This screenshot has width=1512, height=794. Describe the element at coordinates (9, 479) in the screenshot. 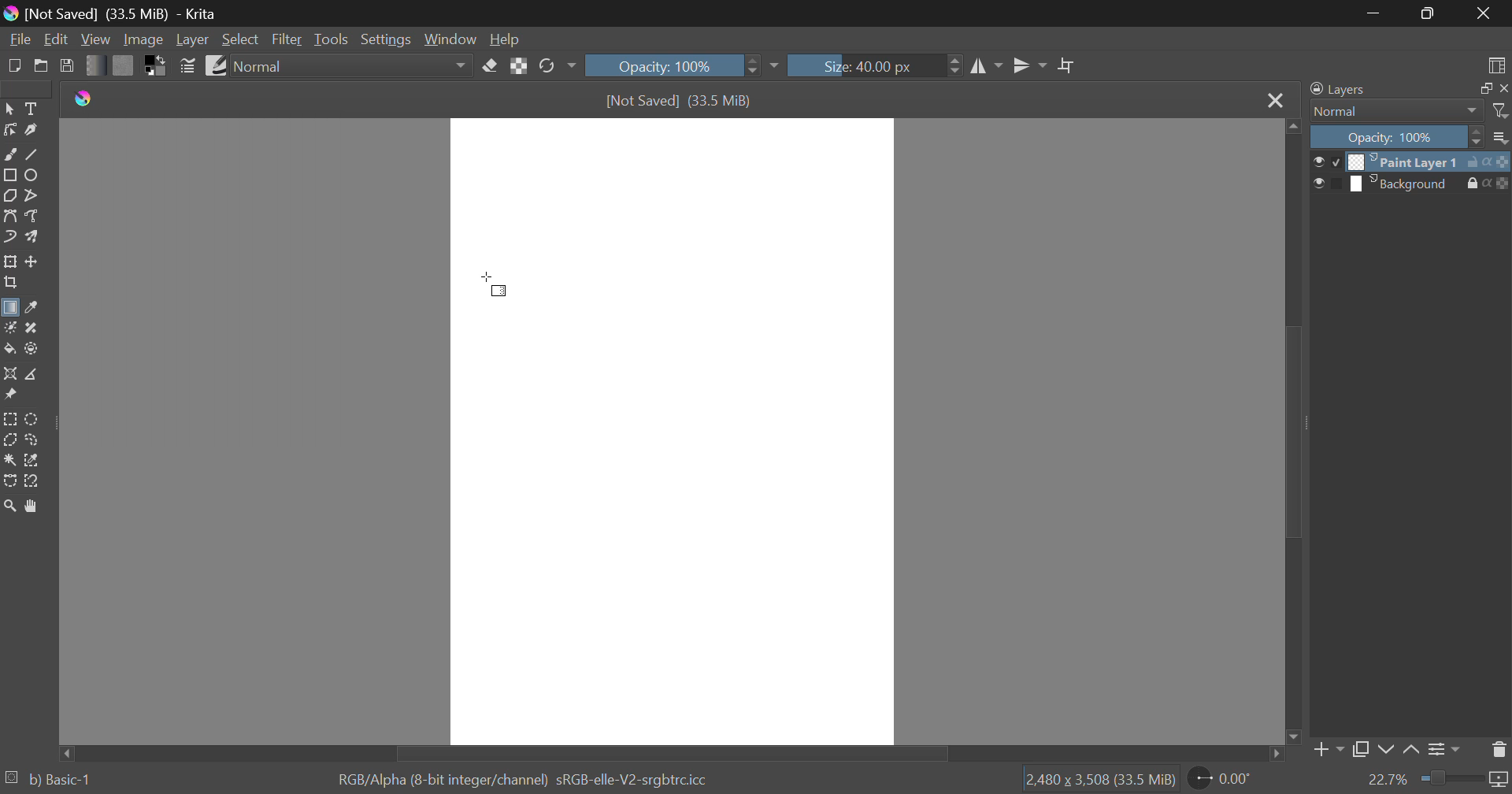

I see `Bezier Curve Selection` at that location.